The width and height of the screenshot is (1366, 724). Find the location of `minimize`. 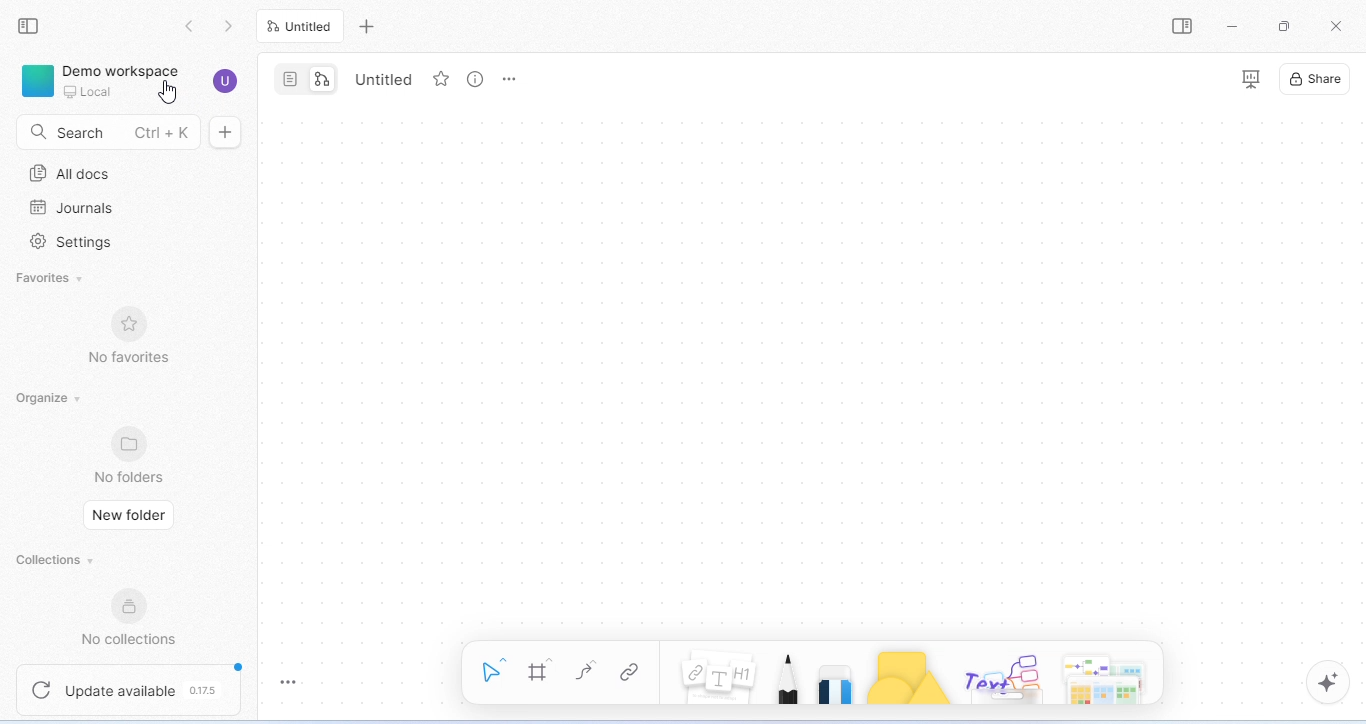

minimize is located at coordinates (1233, 25).